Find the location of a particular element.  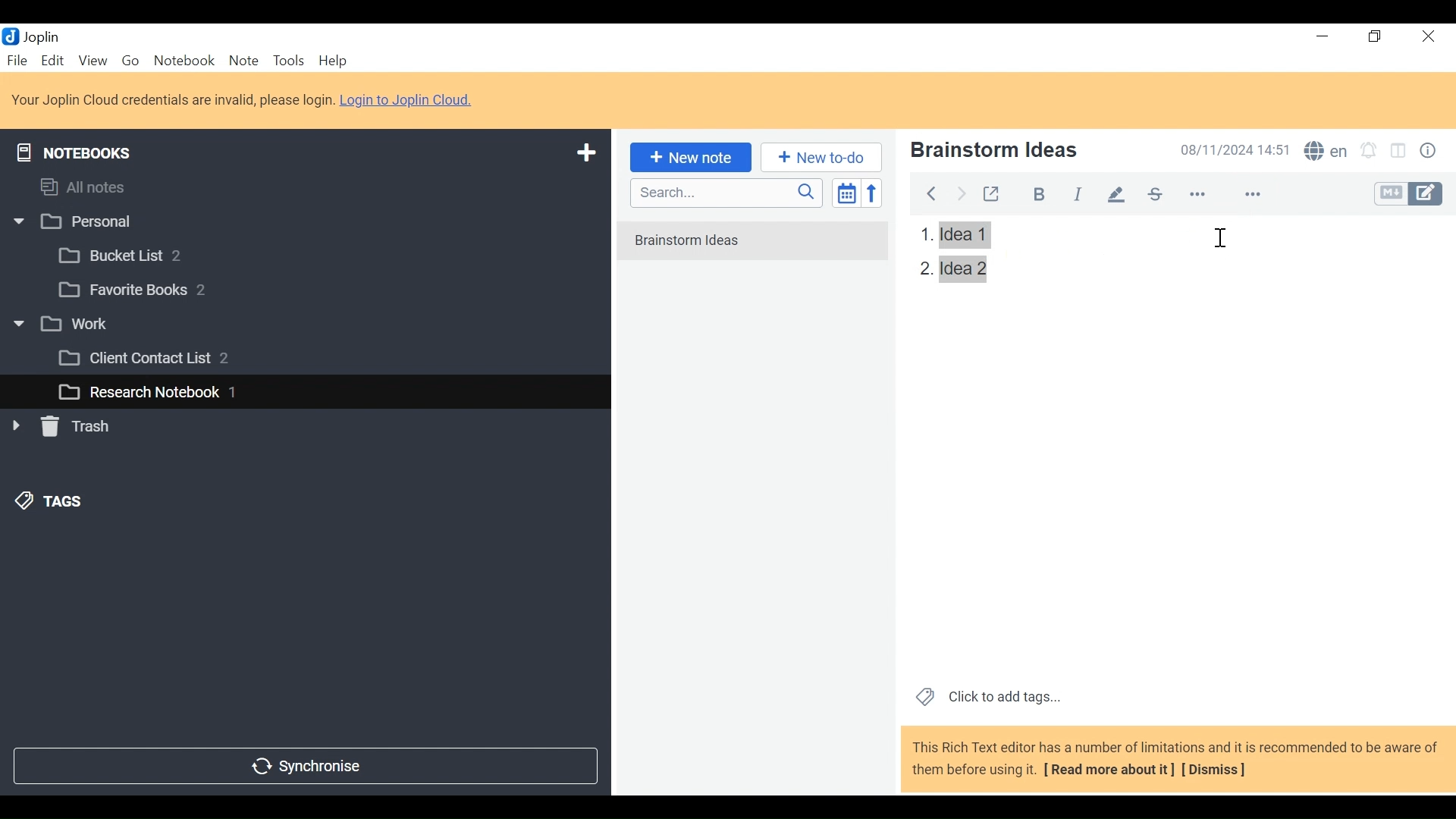

Notebook is located at coordinates (186, 60).